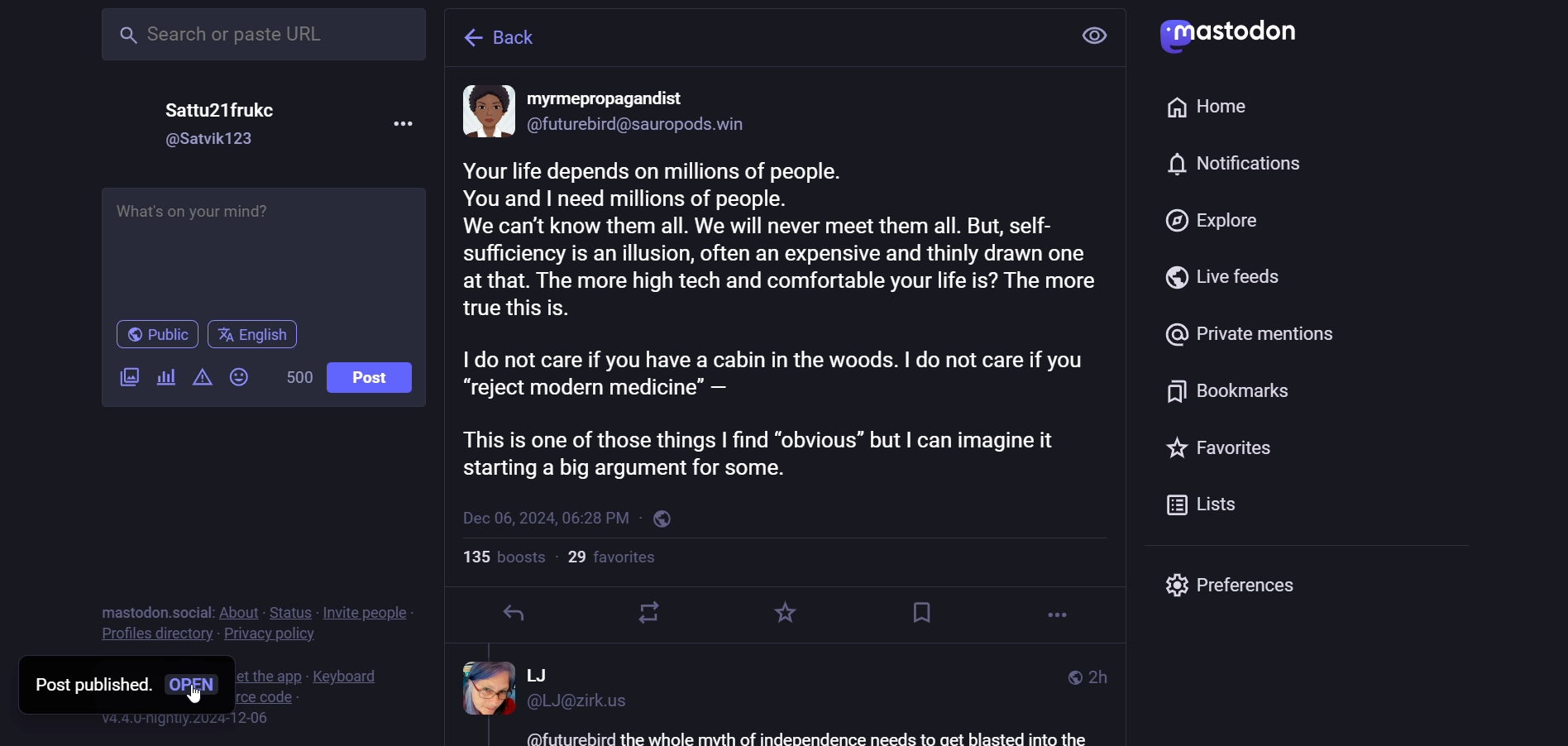  What do you see at coordinates (292, 375) in the screenshot?
I see `words left` at bounding box center [292, 375].